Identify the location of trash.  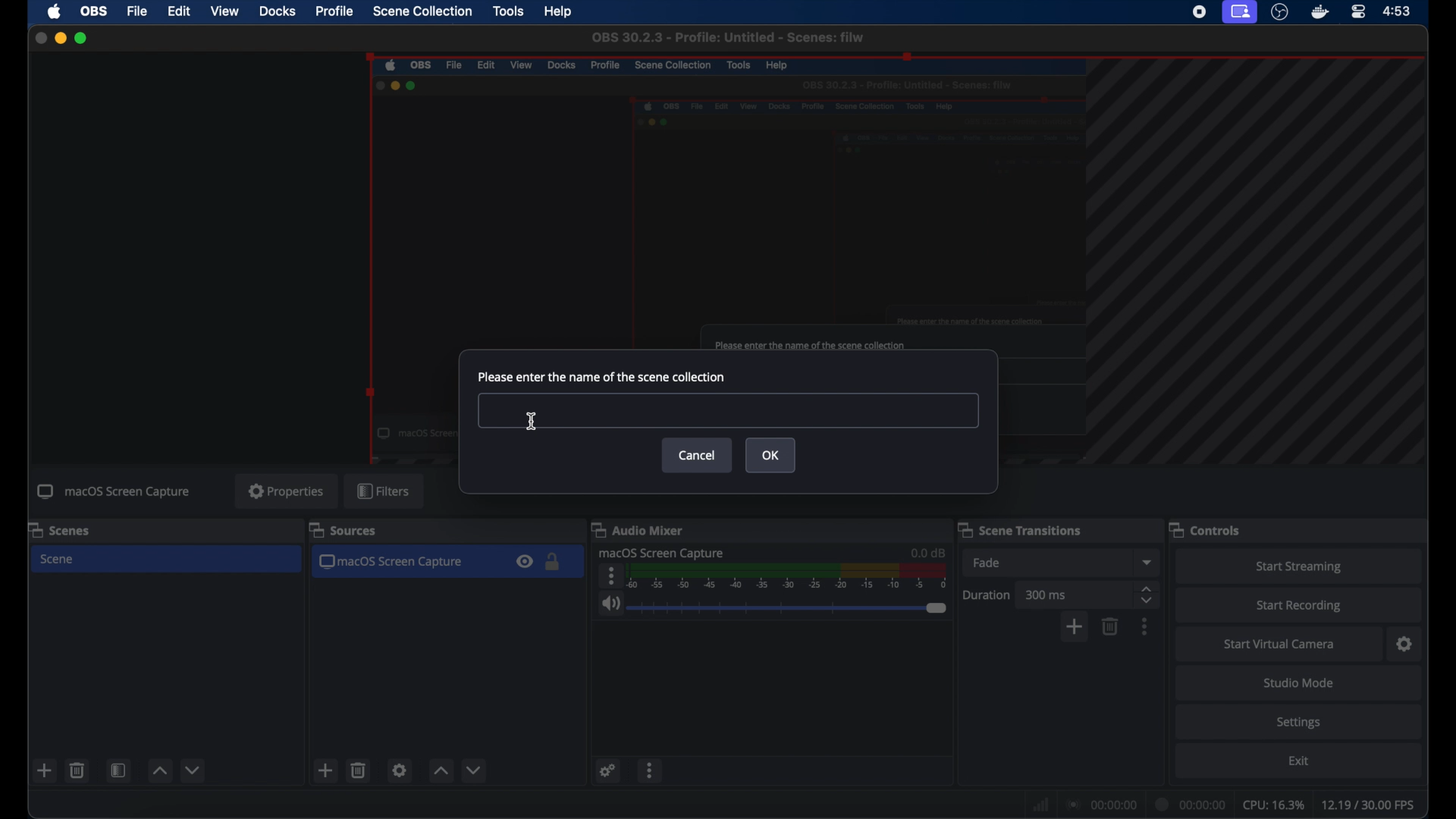
(1110, 626).